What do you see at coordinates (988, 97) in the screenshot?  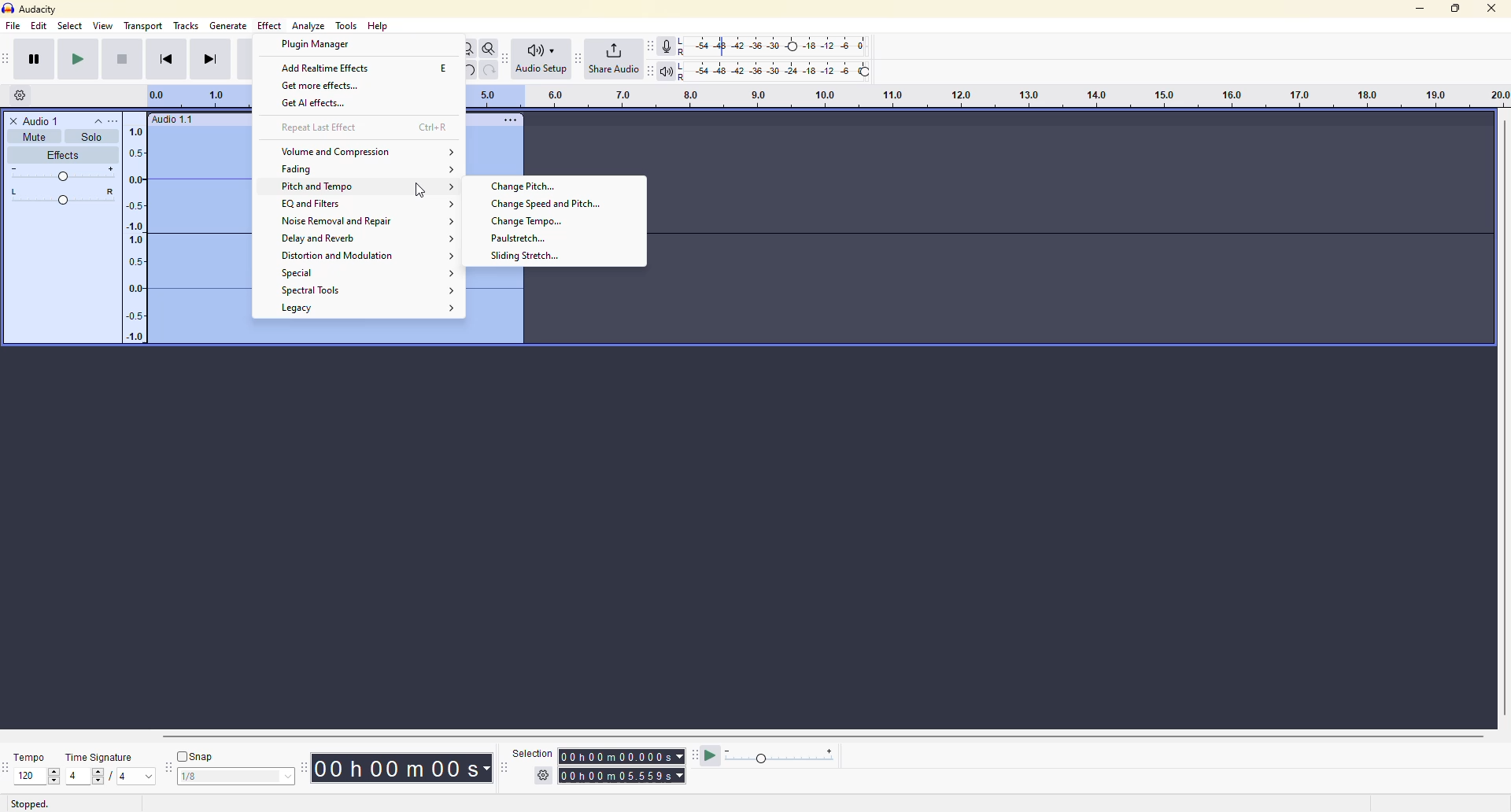 I see `click and drag to define looping region` at bounding box center [988, 97].